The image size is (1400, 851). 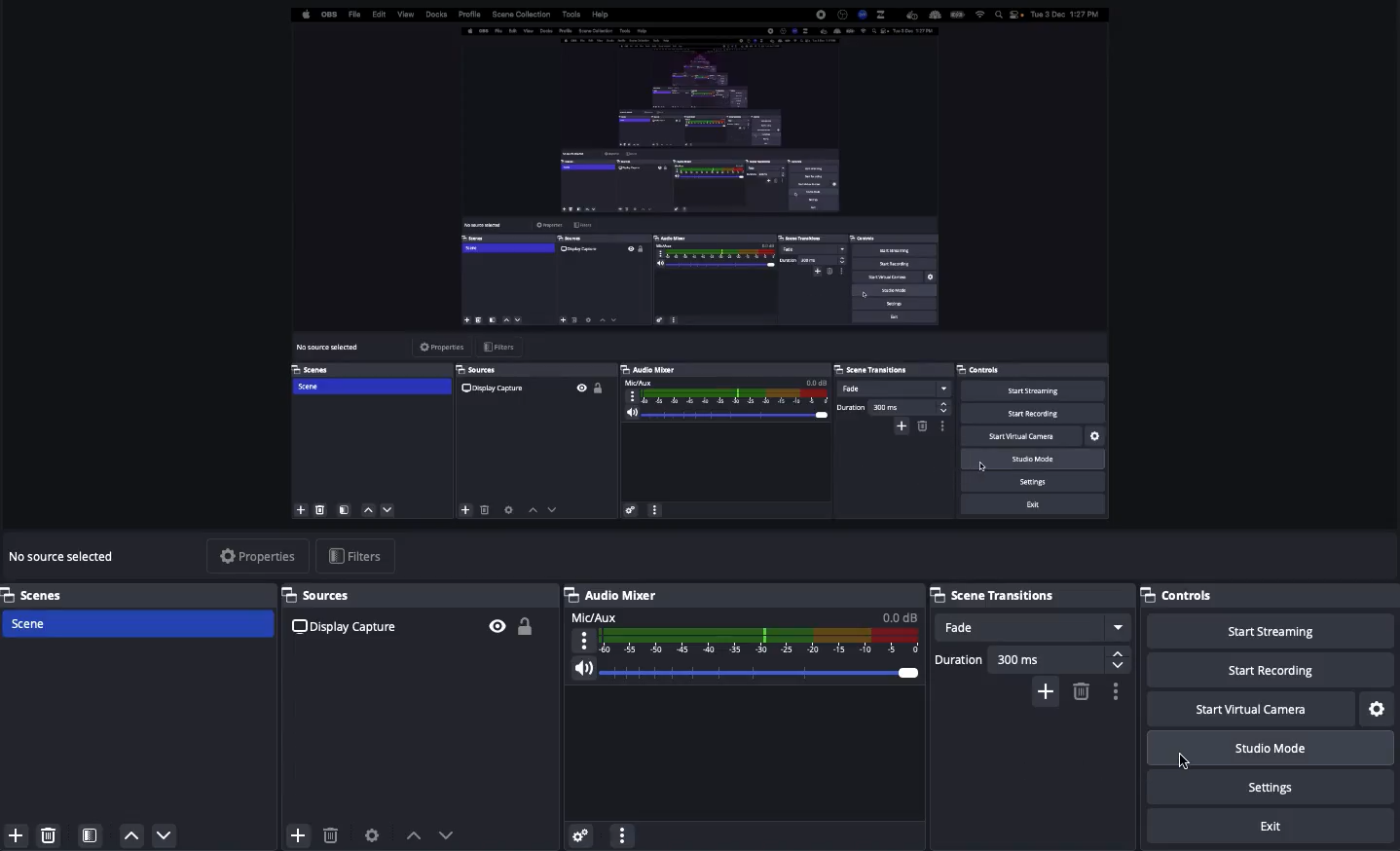 I want to click on Scene filter, so click(x=91, y=836).